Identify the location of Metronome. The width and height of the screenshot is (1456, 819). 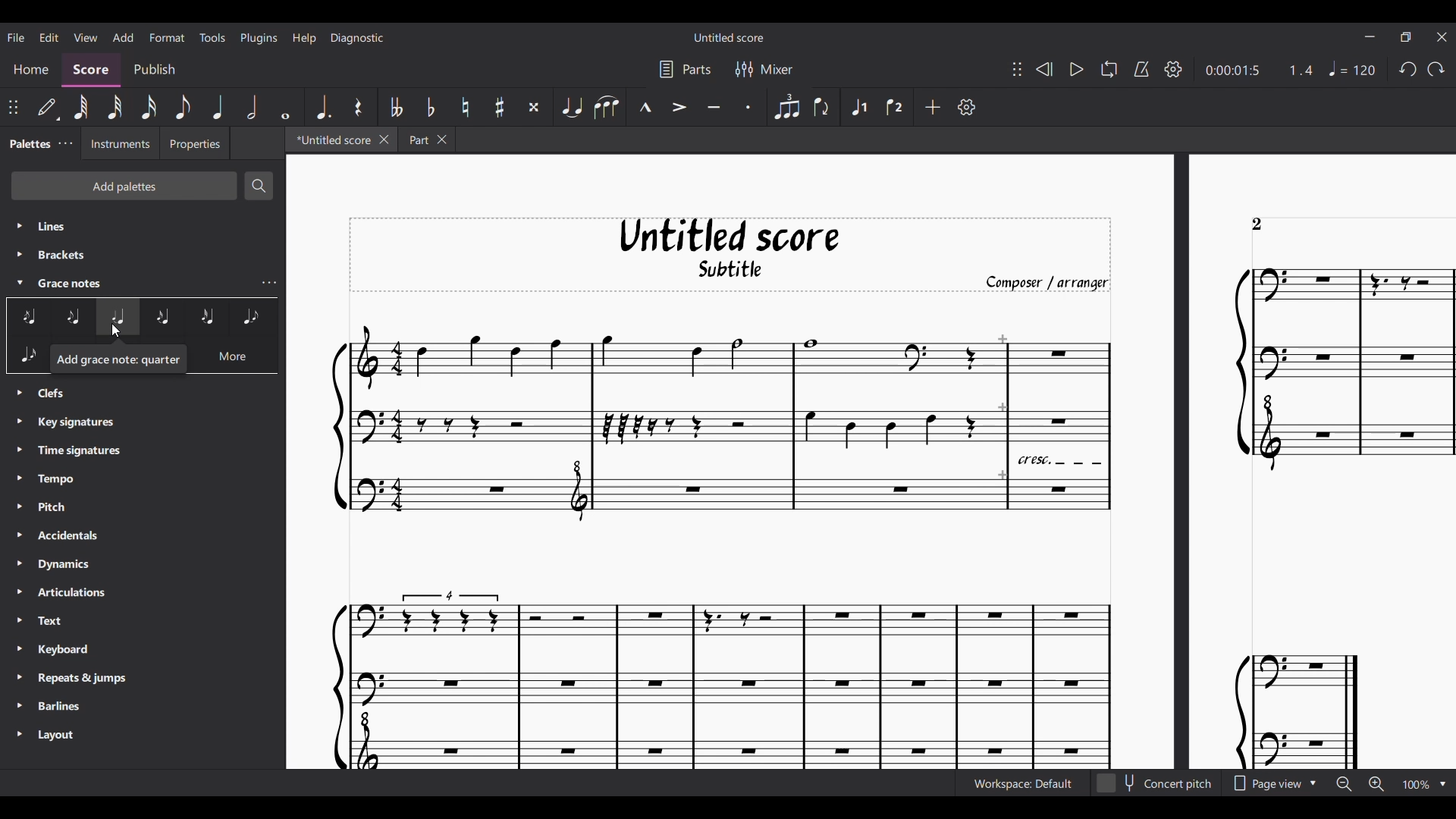
(1141, 69).